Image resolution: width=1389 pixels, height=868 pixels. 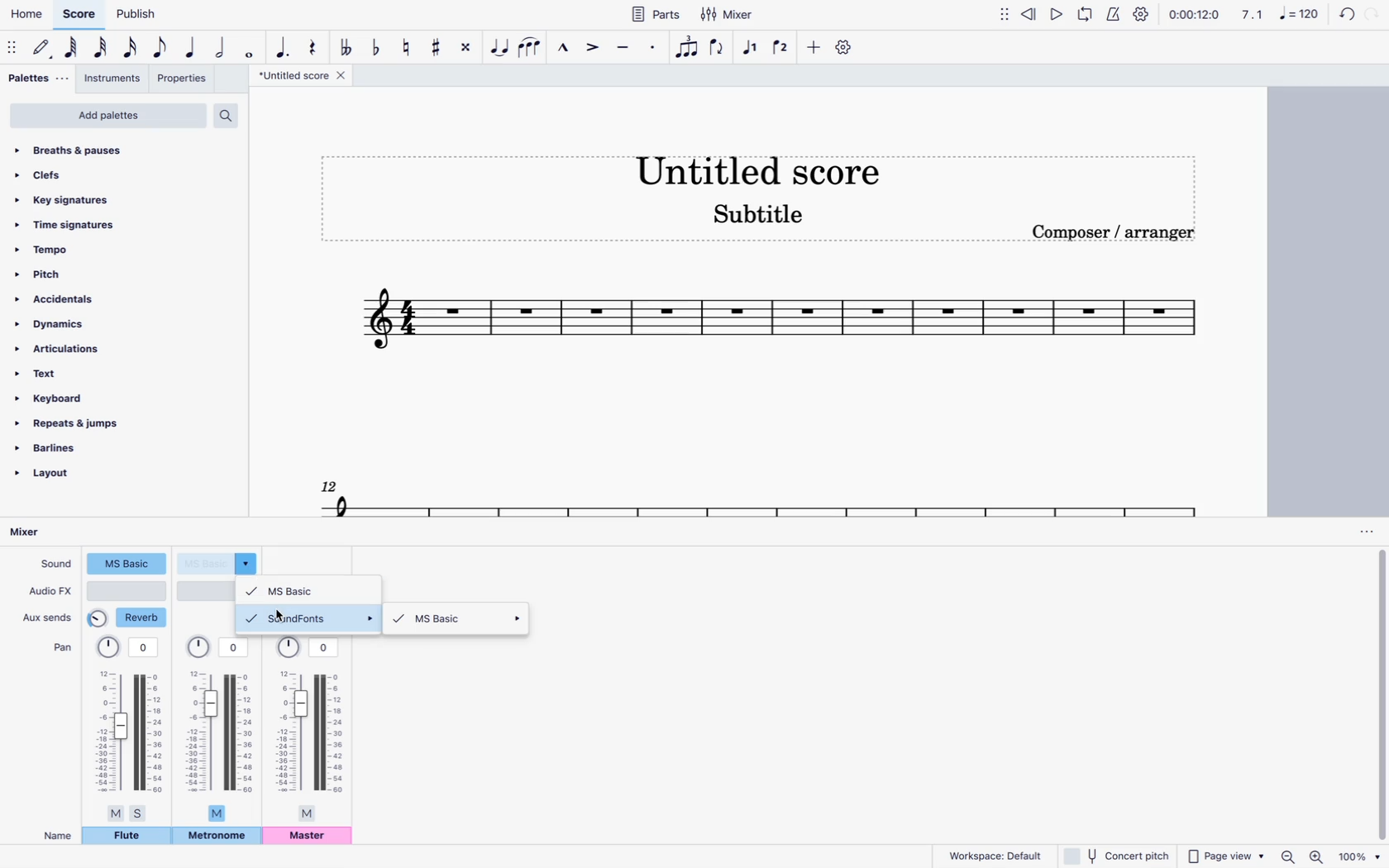 I want to click on forward, so click(x=1376, y=13).